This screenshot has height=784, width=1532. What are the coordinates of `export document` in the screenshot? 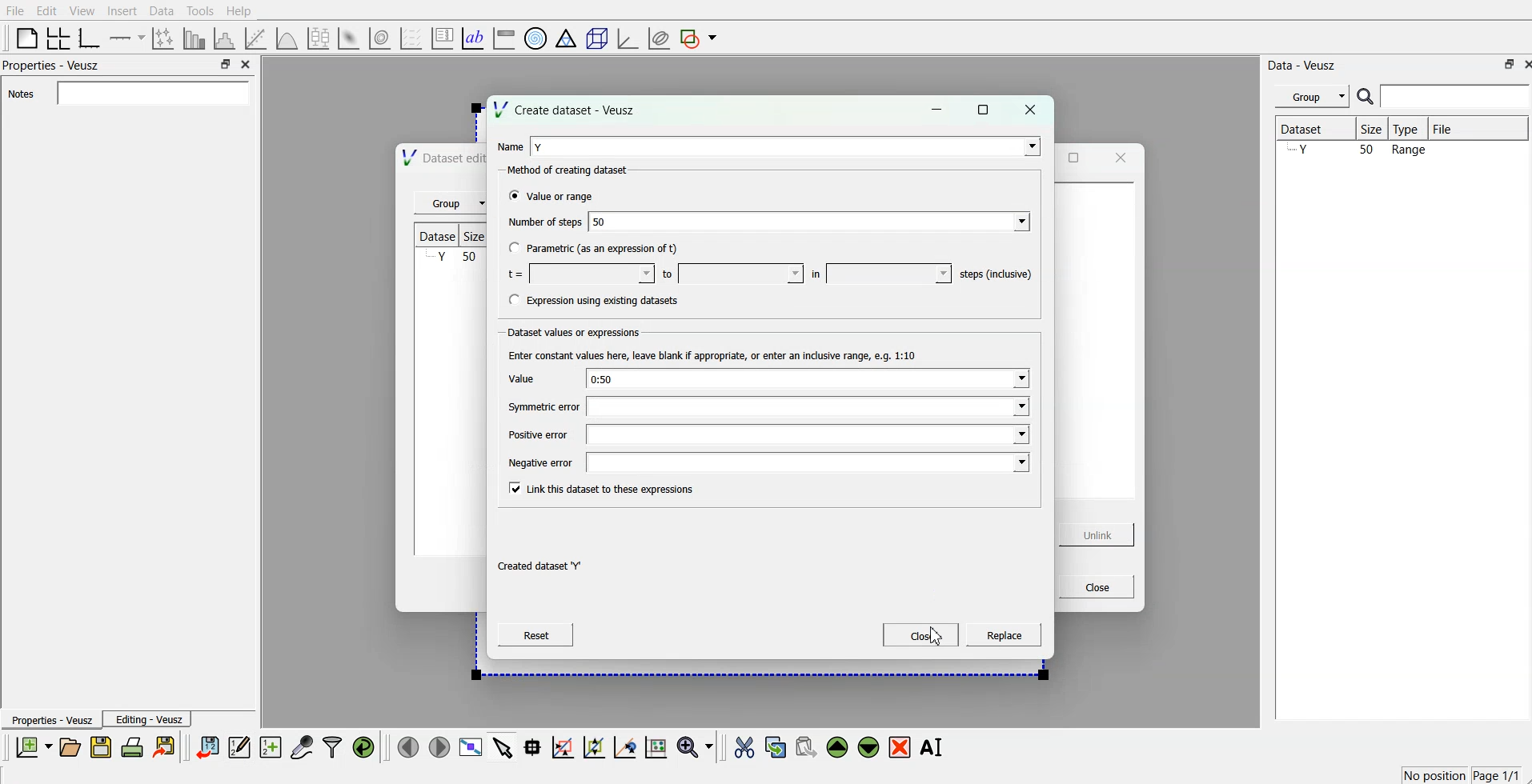 It's located at (165, 748).